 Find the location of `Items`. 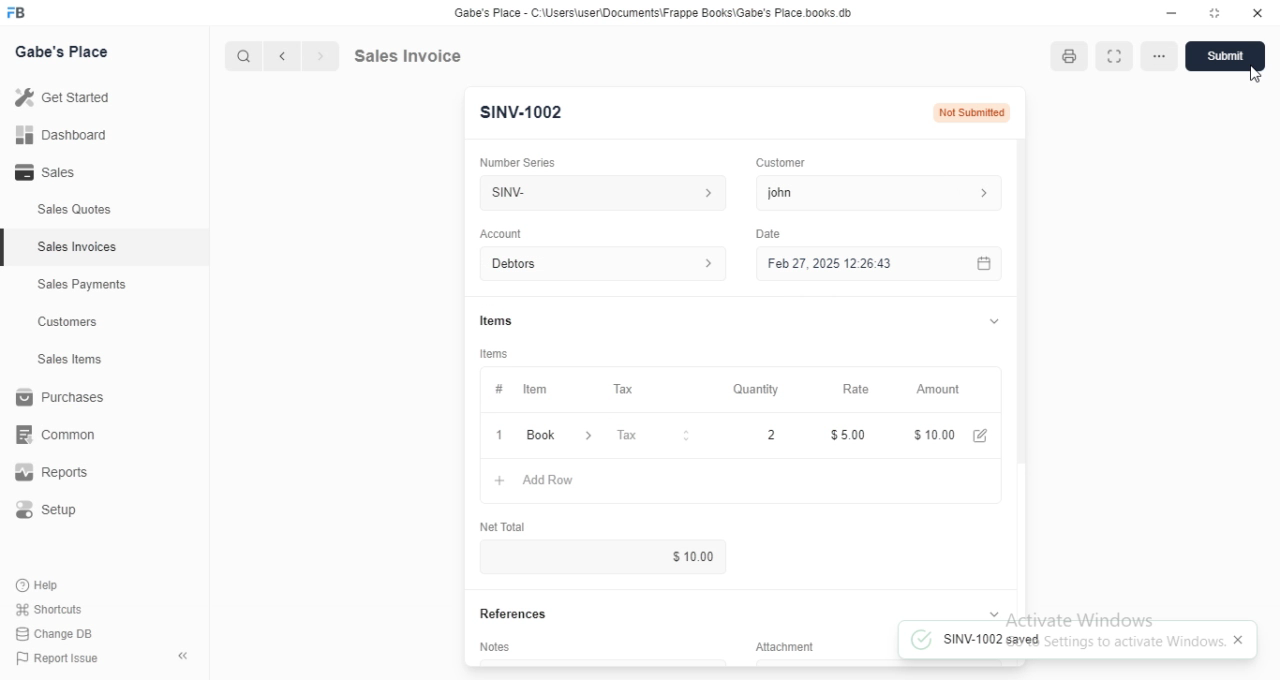

Items is located at coordinates (495, 317).